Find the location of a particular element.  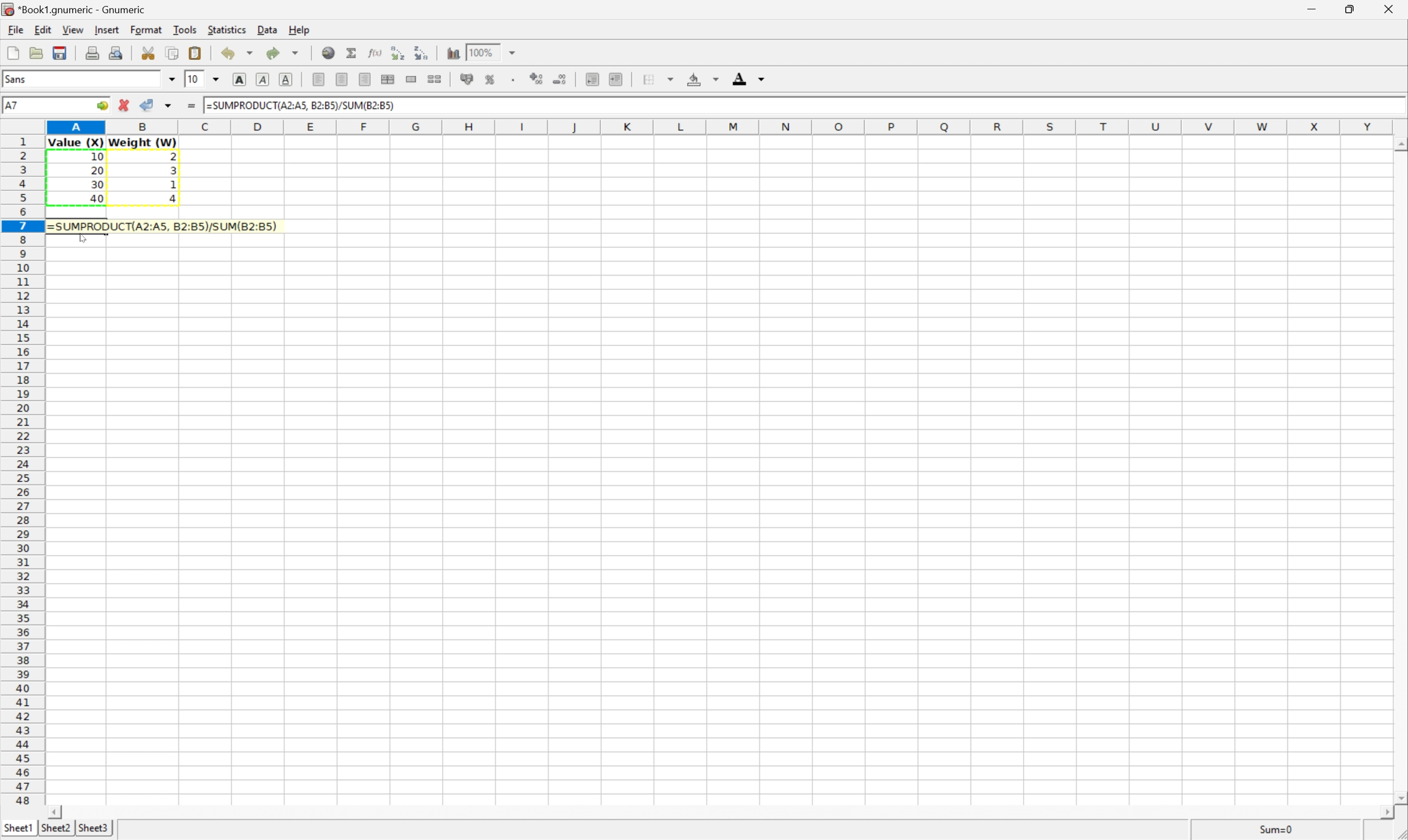

Close is located at coordinates (1389, 10).